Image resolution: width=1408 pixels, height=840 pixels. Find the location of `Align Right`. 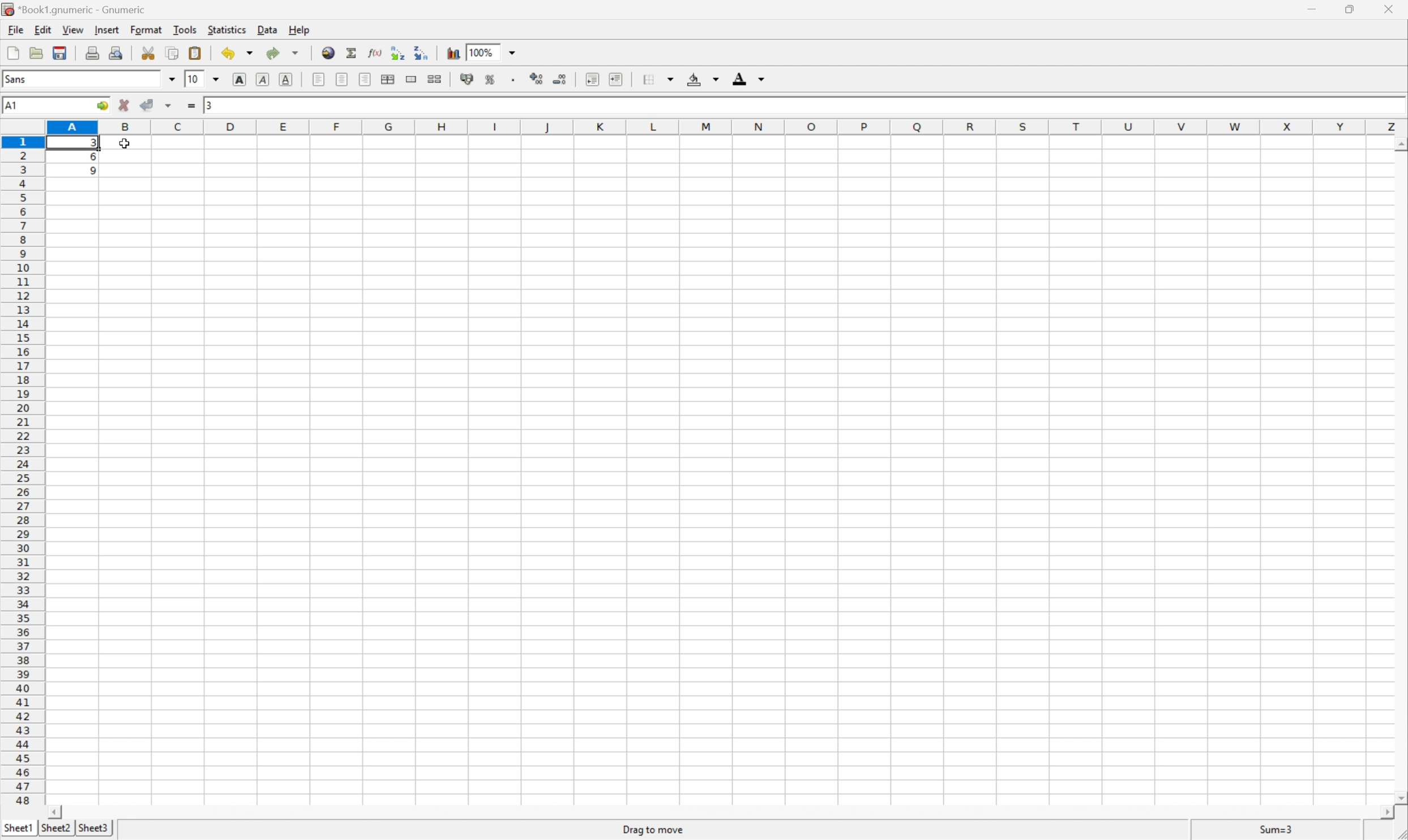

Align Right is located at coordinates (363, 79).